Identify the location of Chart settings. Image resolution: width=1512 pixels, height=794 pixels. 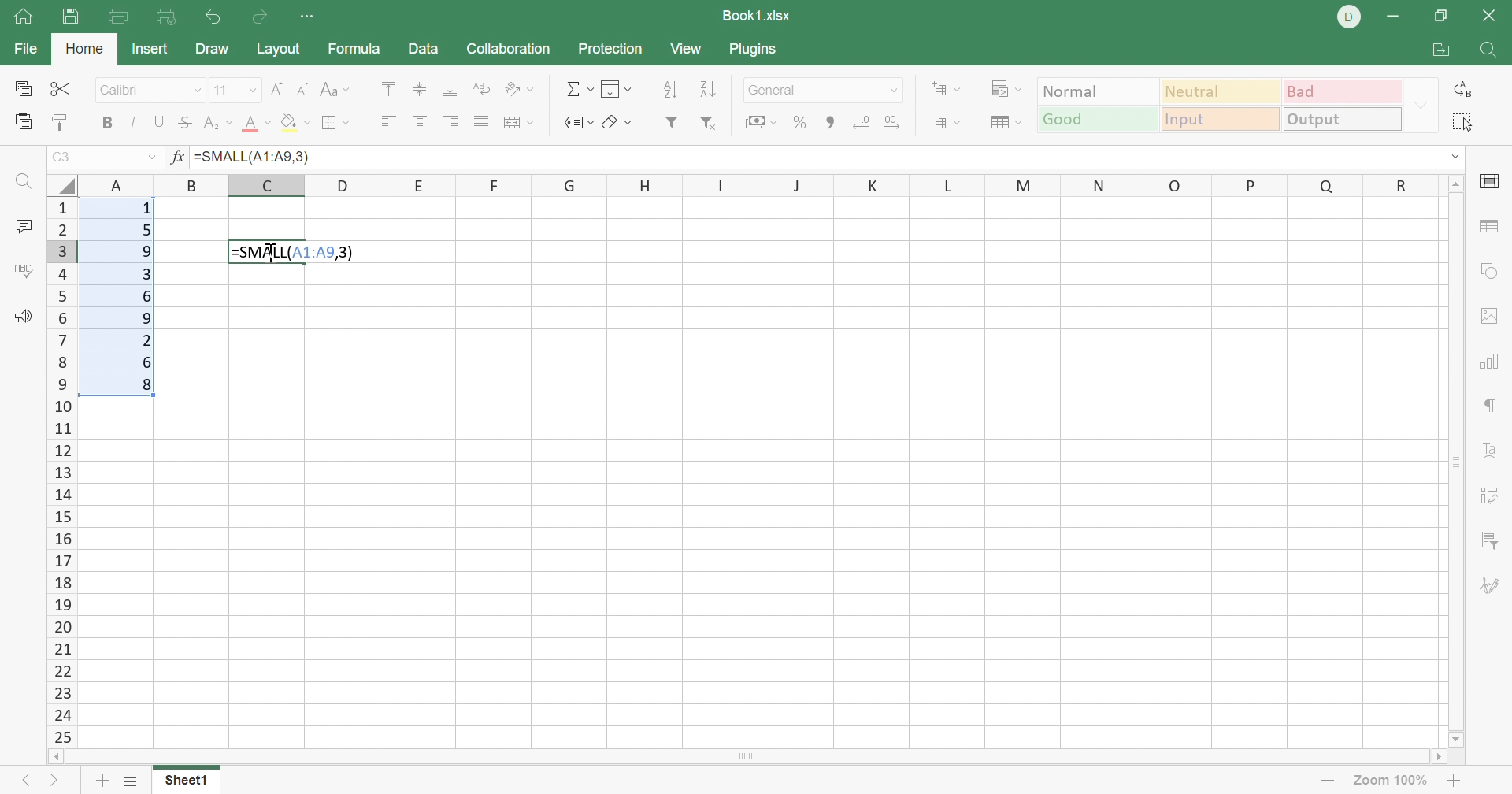
(1489, 363).